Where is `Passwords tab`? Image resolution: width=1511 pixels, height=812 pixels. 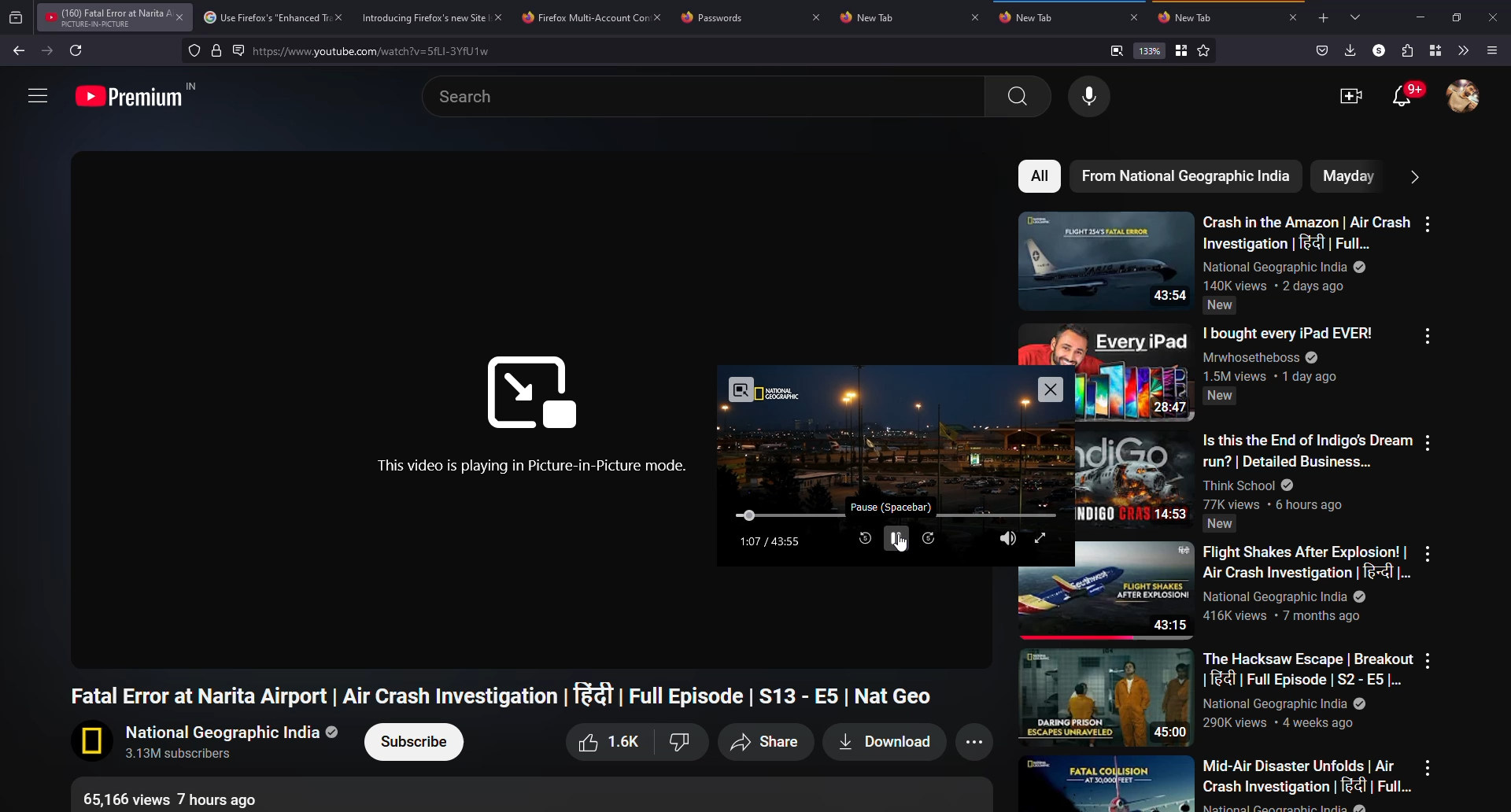
Passwords tab is located at coordinates (718, 19).